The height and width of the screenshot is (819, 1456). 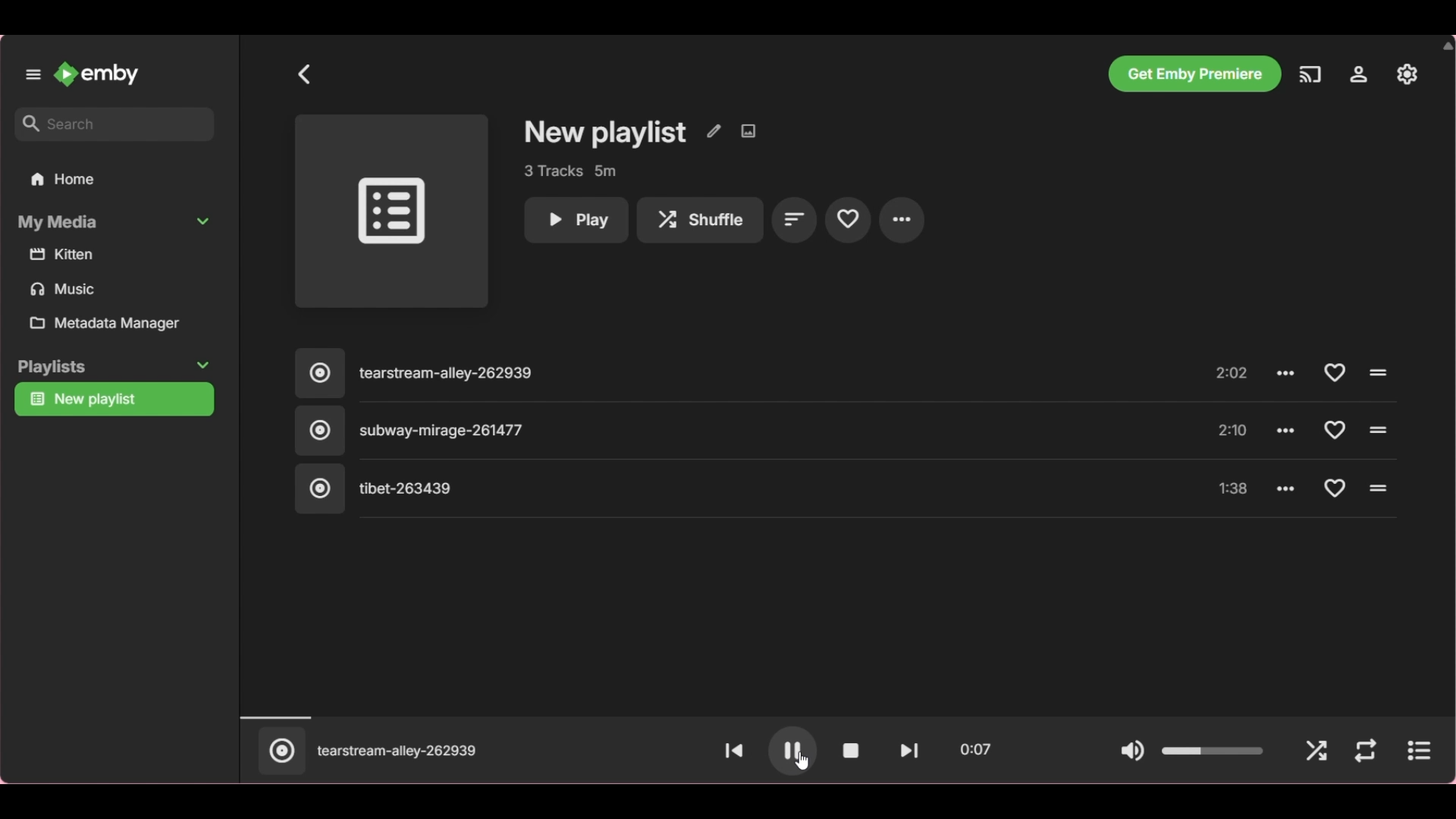 I want to click on Shuffle, so click(x=700, y=221).